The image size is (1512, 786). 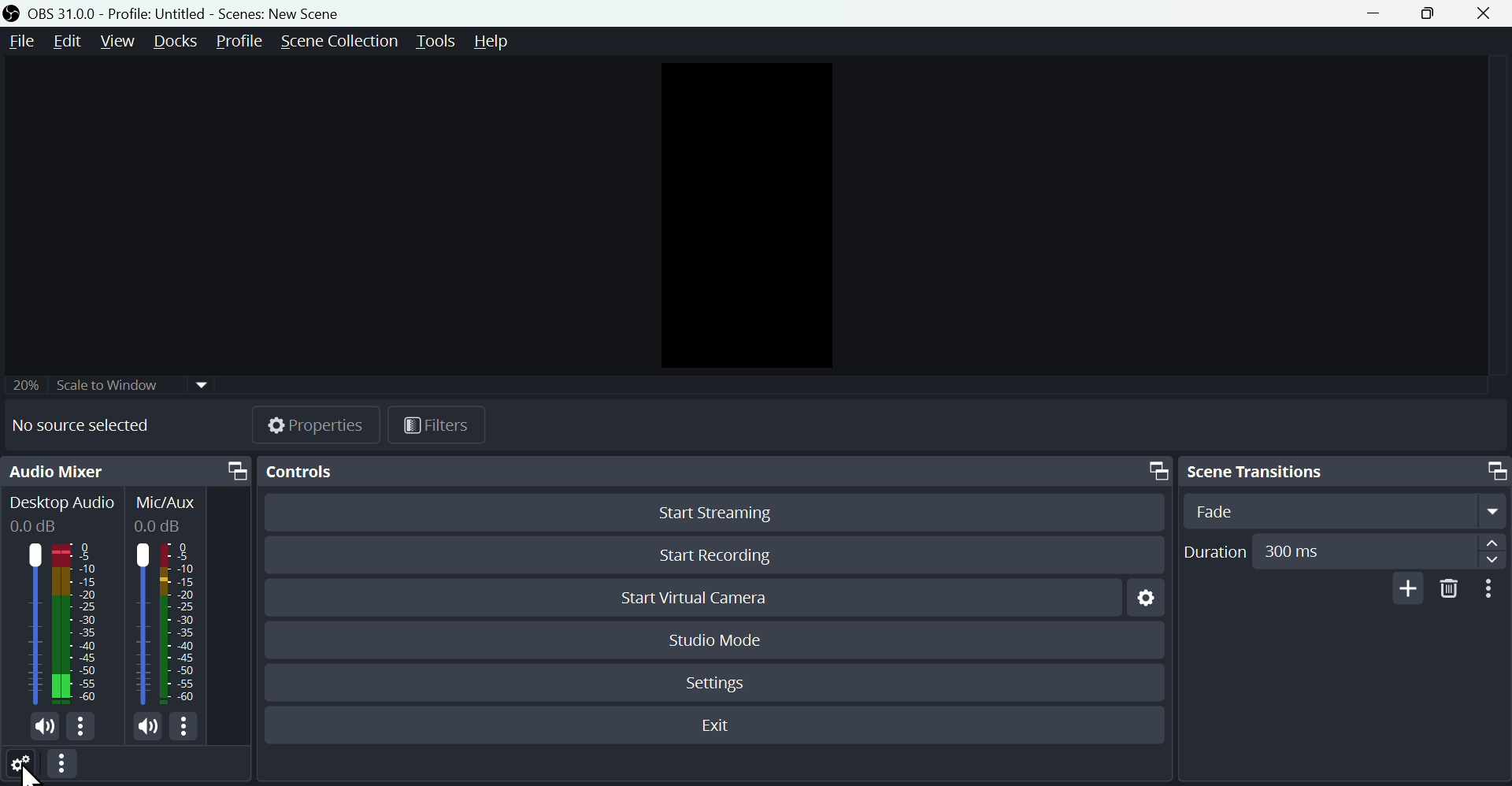 I want to click on Delete, so click(x=1451, y=588).